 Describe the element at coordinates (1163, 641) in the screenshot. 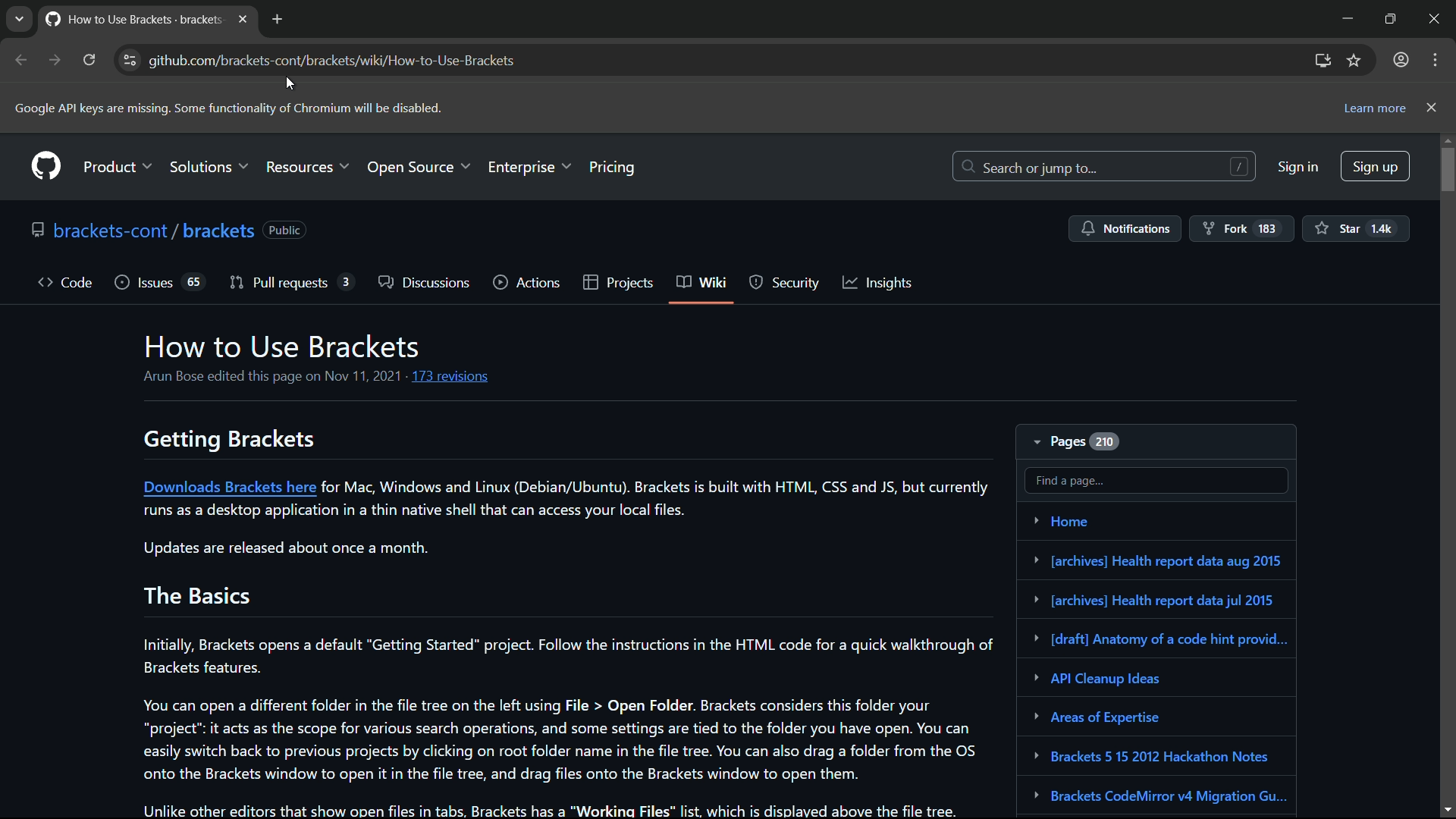

I see `[draft] Anatomy of a code hint provid...` at that location.